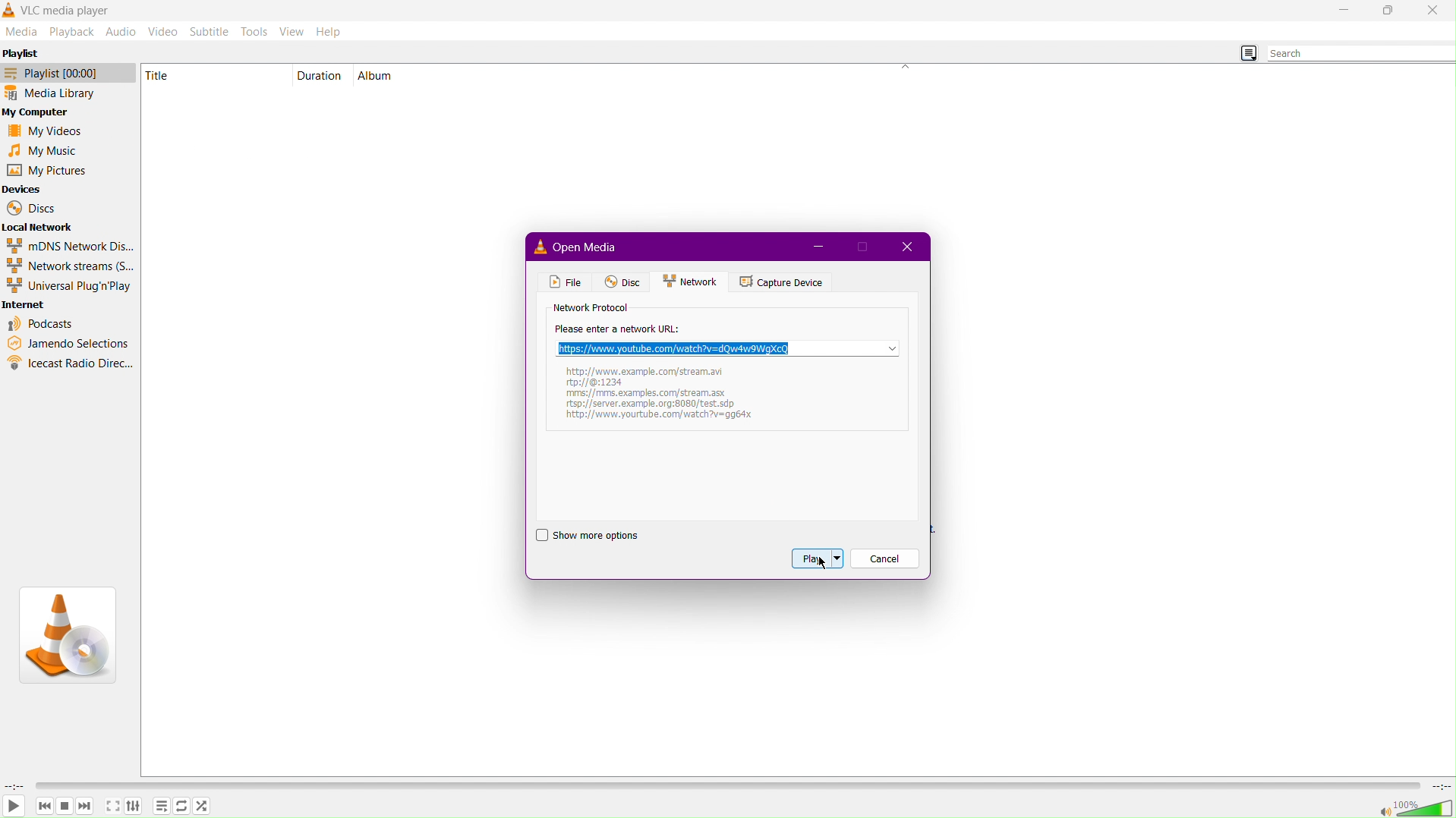 The height and width of the screenshot is (818, 1456). What do you see at coordinates (725, 785) in the screenshot?
I see `Timeline` at bounding box center [725, 785].